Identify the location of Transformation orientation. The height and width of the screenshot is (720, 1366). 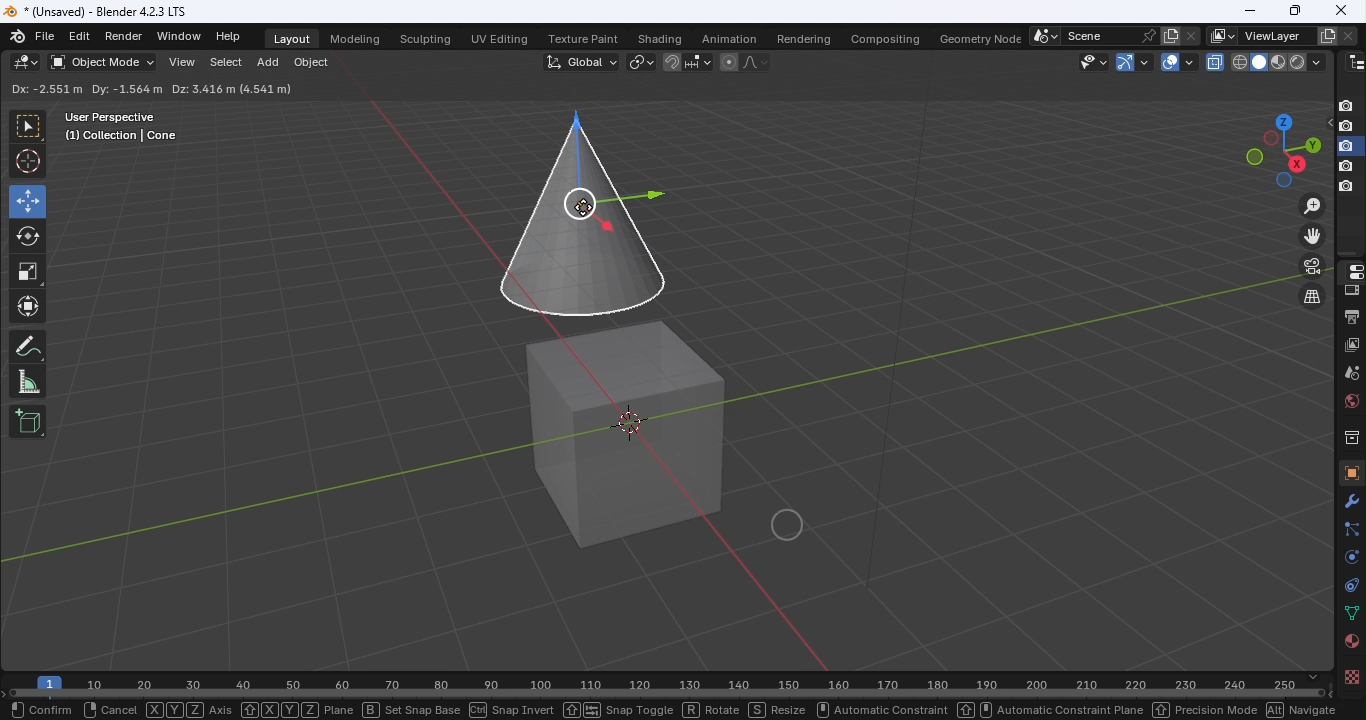
(584, 60).